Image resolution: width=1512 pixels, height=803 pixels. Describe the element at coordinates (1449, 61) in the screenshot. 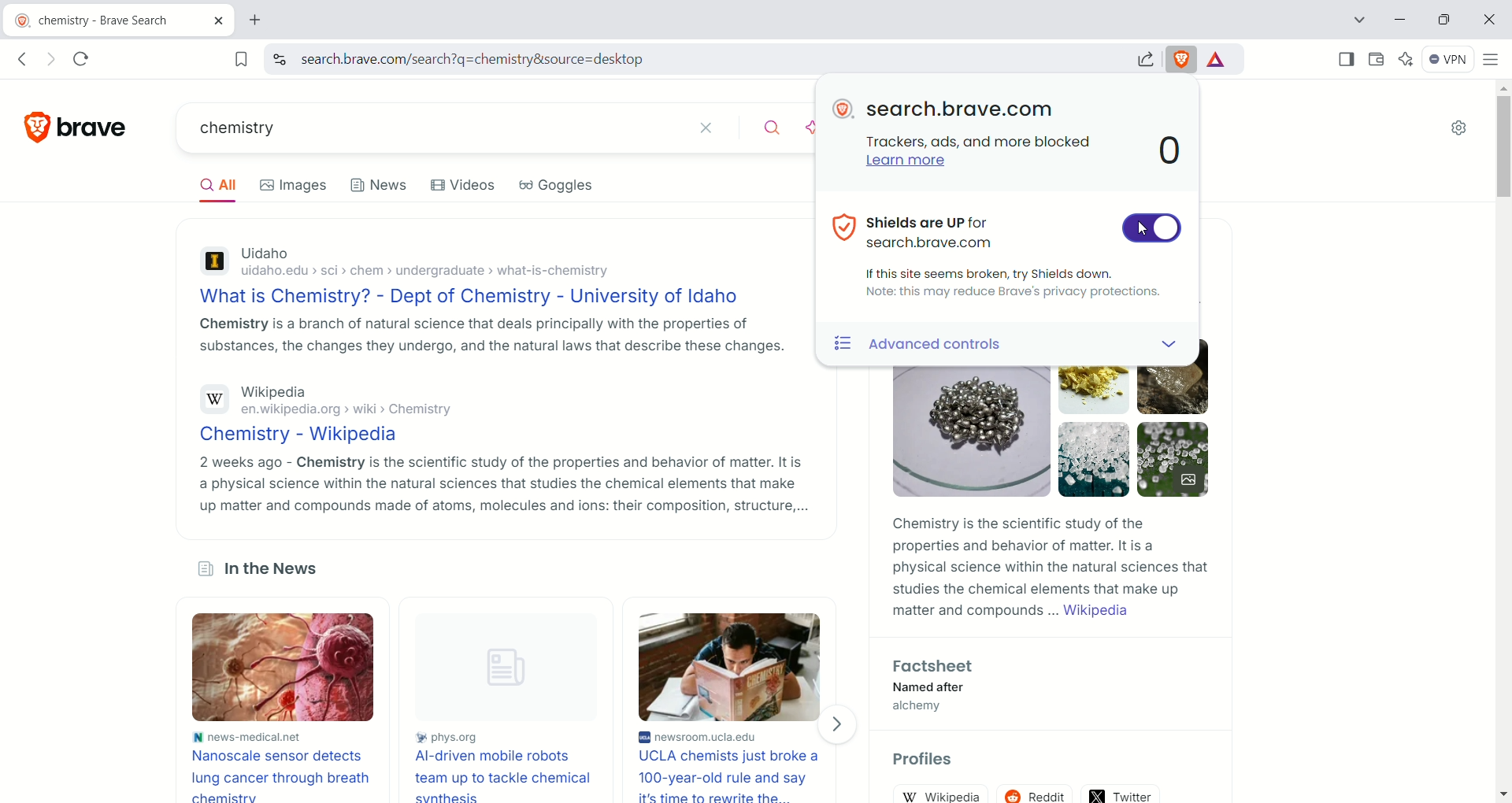

I see `VPN` at that location.